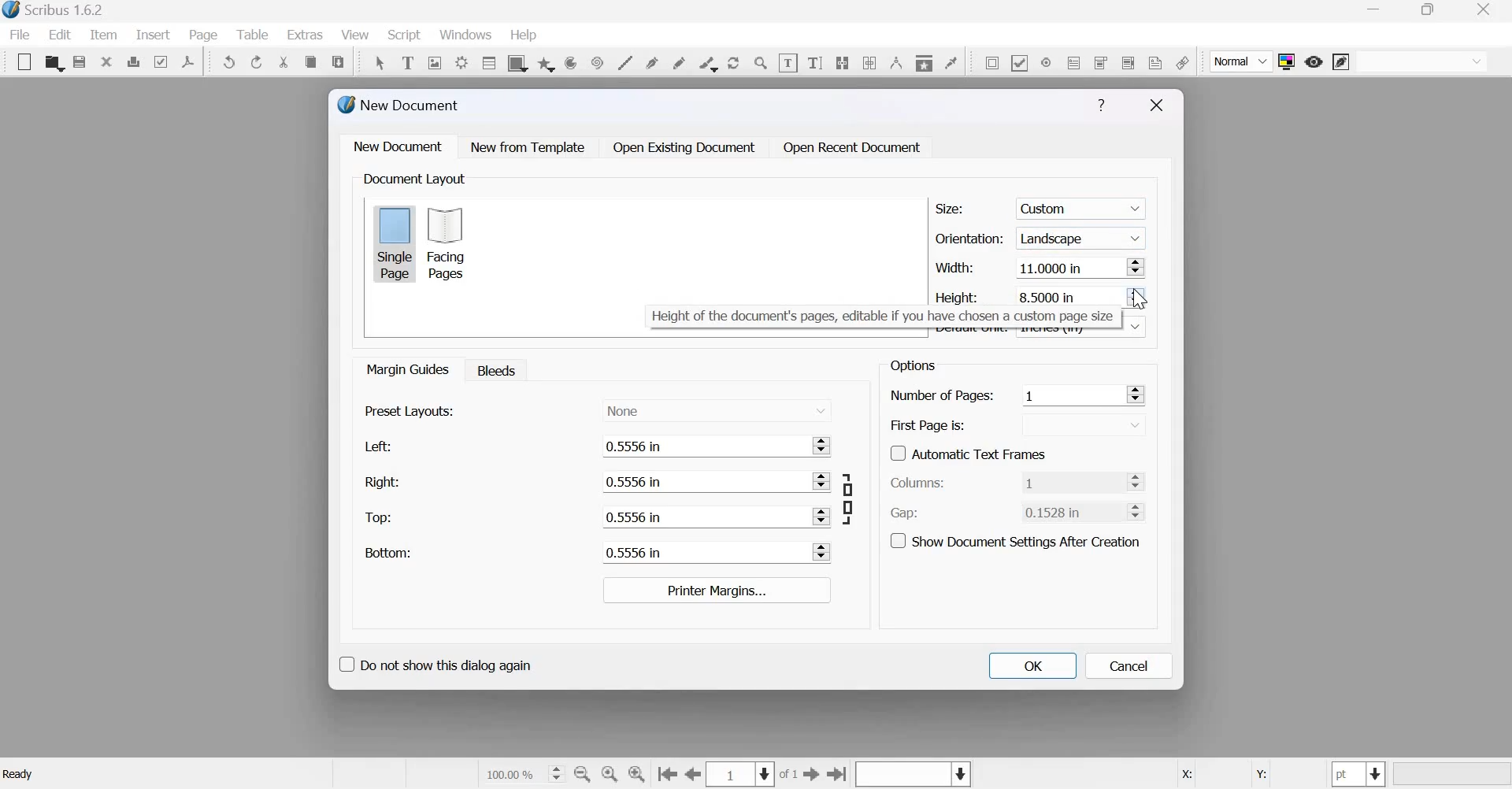 The image size is (1512, 789). Describe the element at coordinates (624, 61) in the screenshot. I see `line` at that location.